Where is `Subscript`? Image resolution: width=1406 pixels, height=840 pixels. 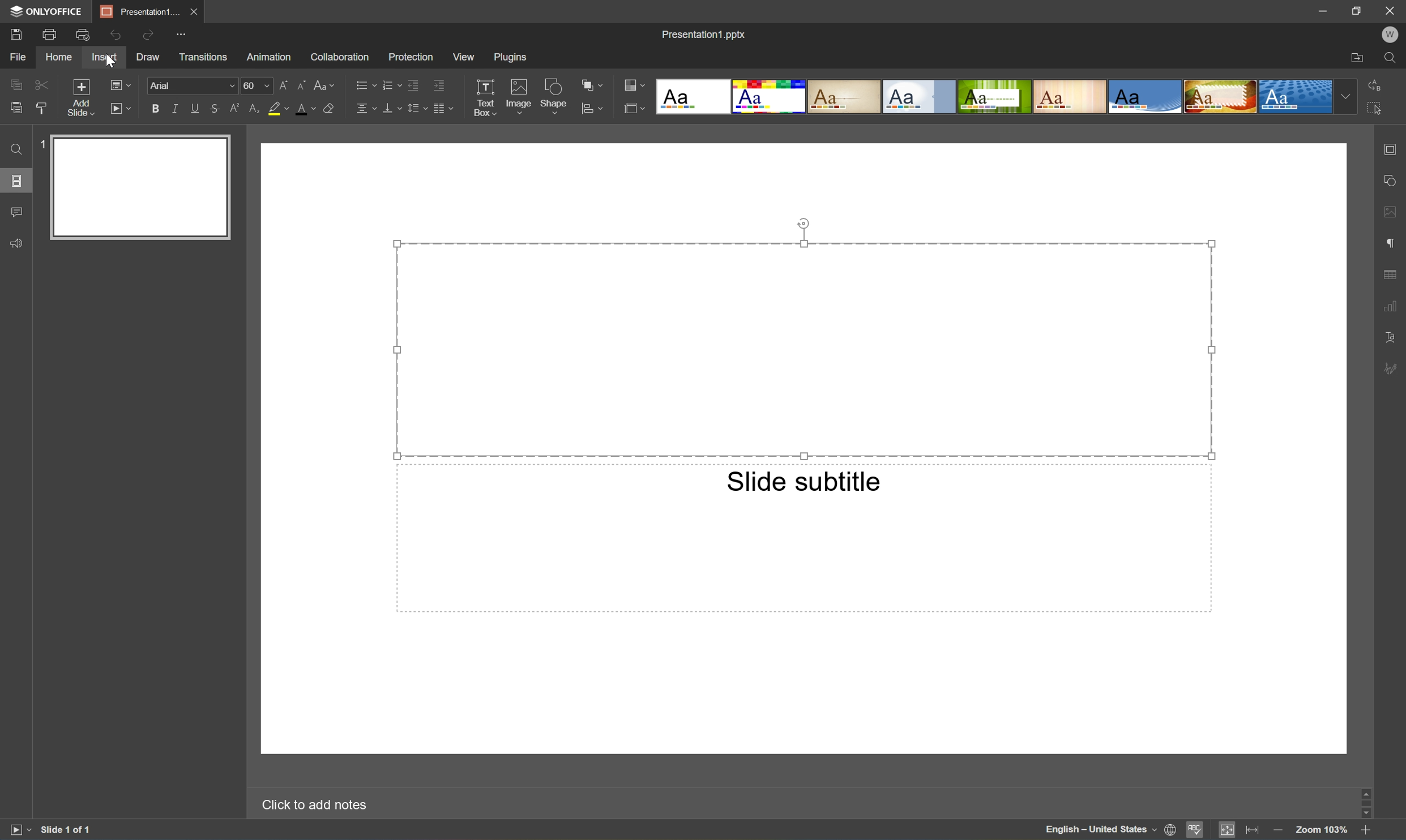 Subscript is located at coordinates (256, 110).